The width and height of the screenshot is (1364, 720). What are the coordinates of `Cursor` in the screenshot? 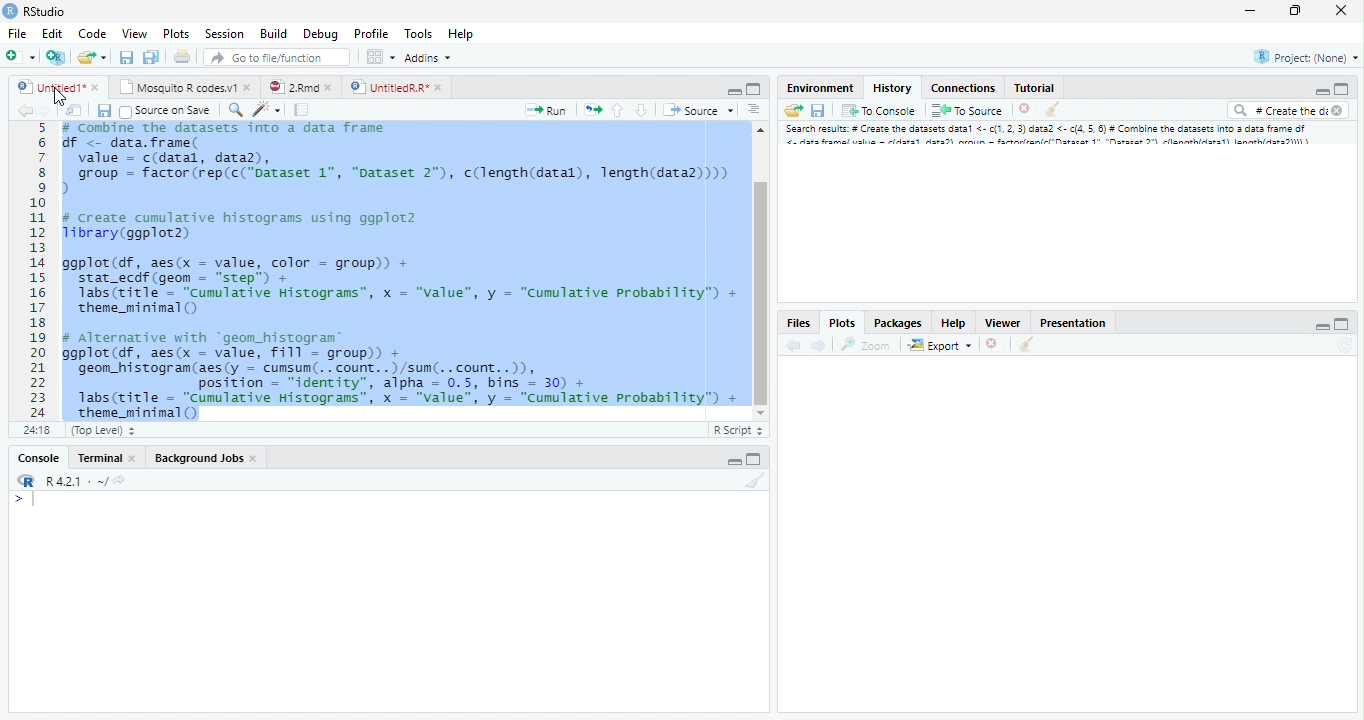 It's located at (59, 95).